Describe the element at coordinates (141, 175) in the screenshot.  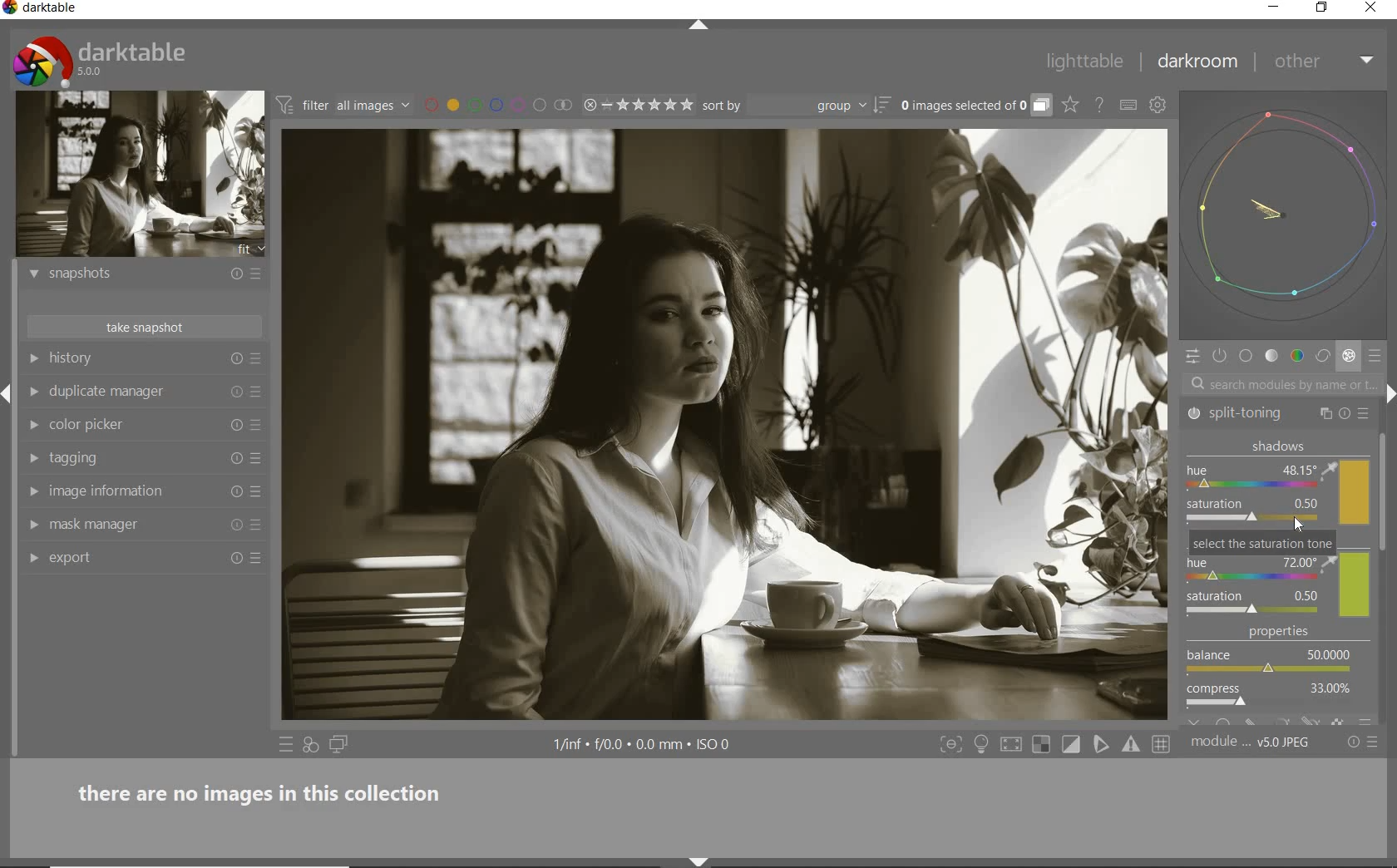
I see `image preview` at that location.